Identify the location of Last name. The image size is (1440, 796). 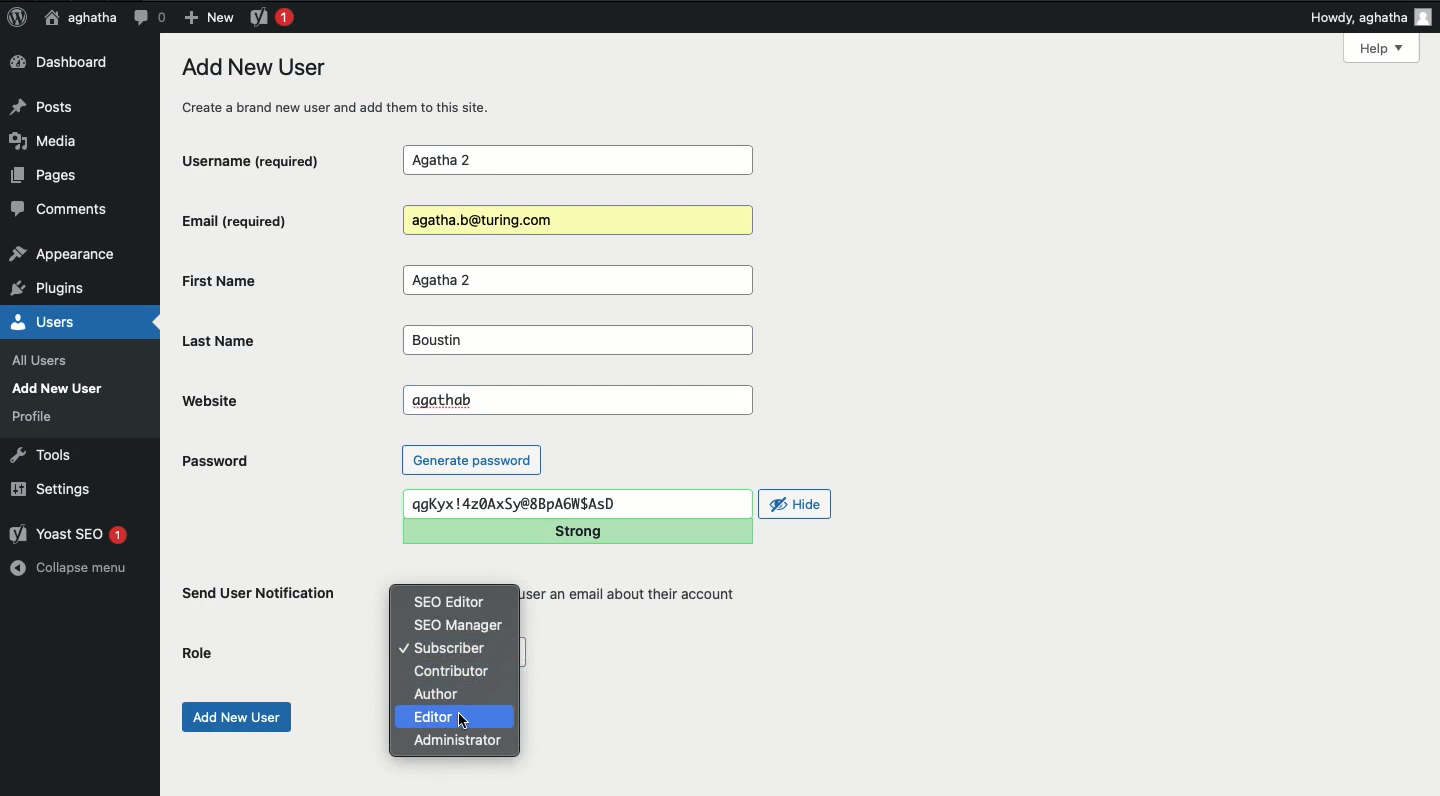
(236, 340).